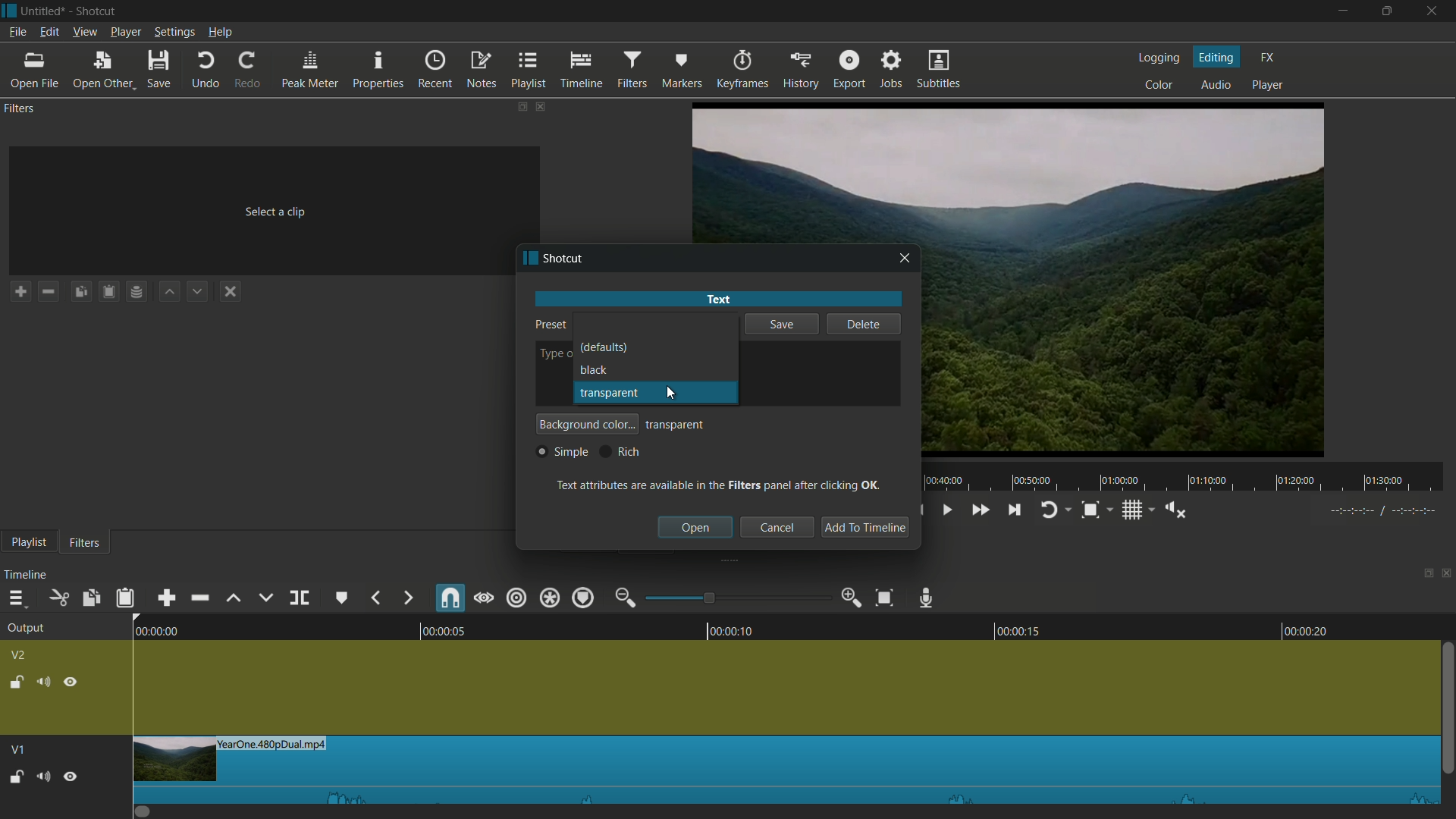 Image resolution: width=1456 pixels, height=819 pixels. I want to click on player menu, so click(126, 32).